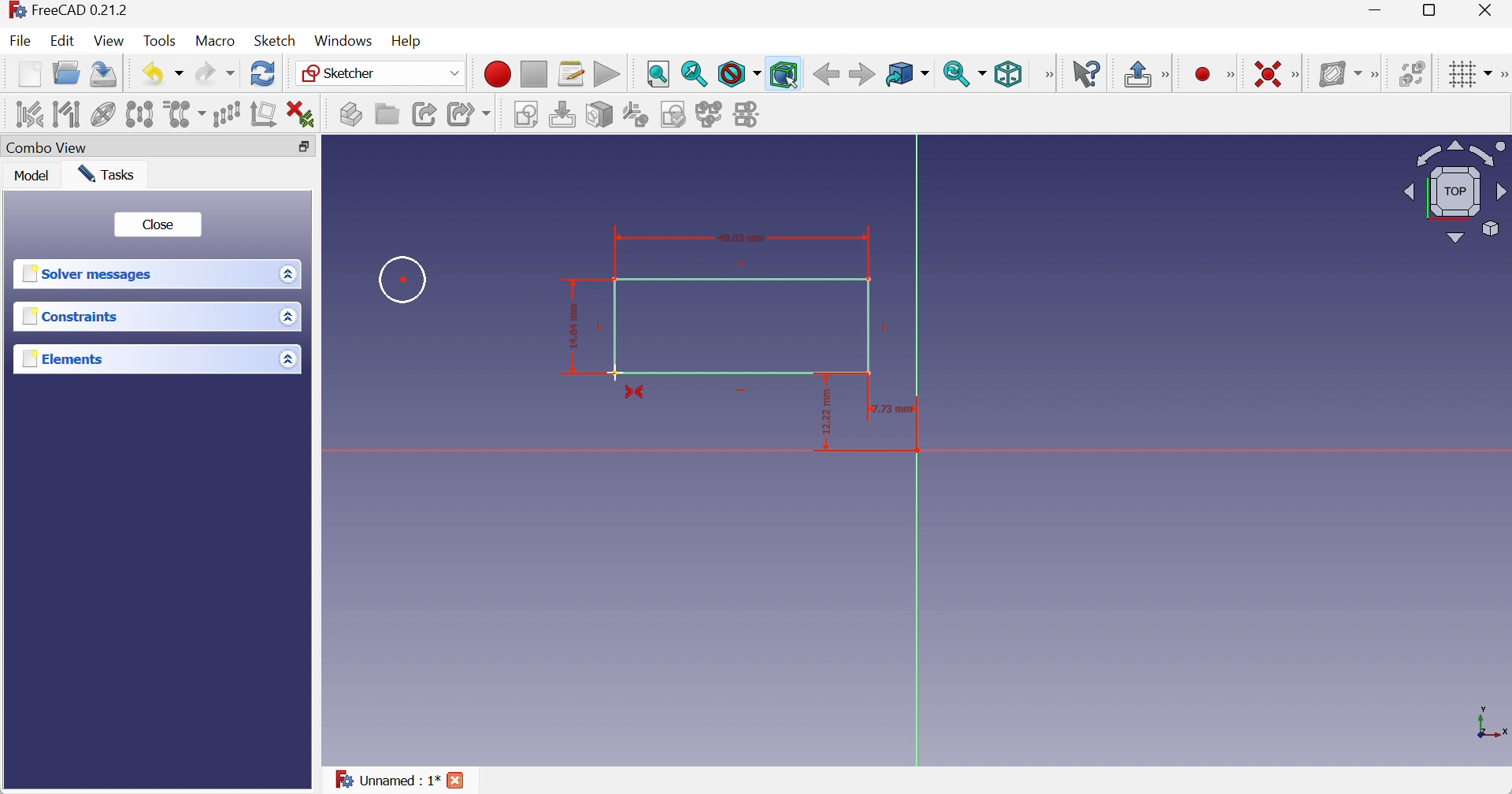 The width and height of the screenshot is (1512, 794). What do you see at coordinates (264, 114) in the screenshot?
I see `Remove axes alignment` at bounding box center [264, 114].